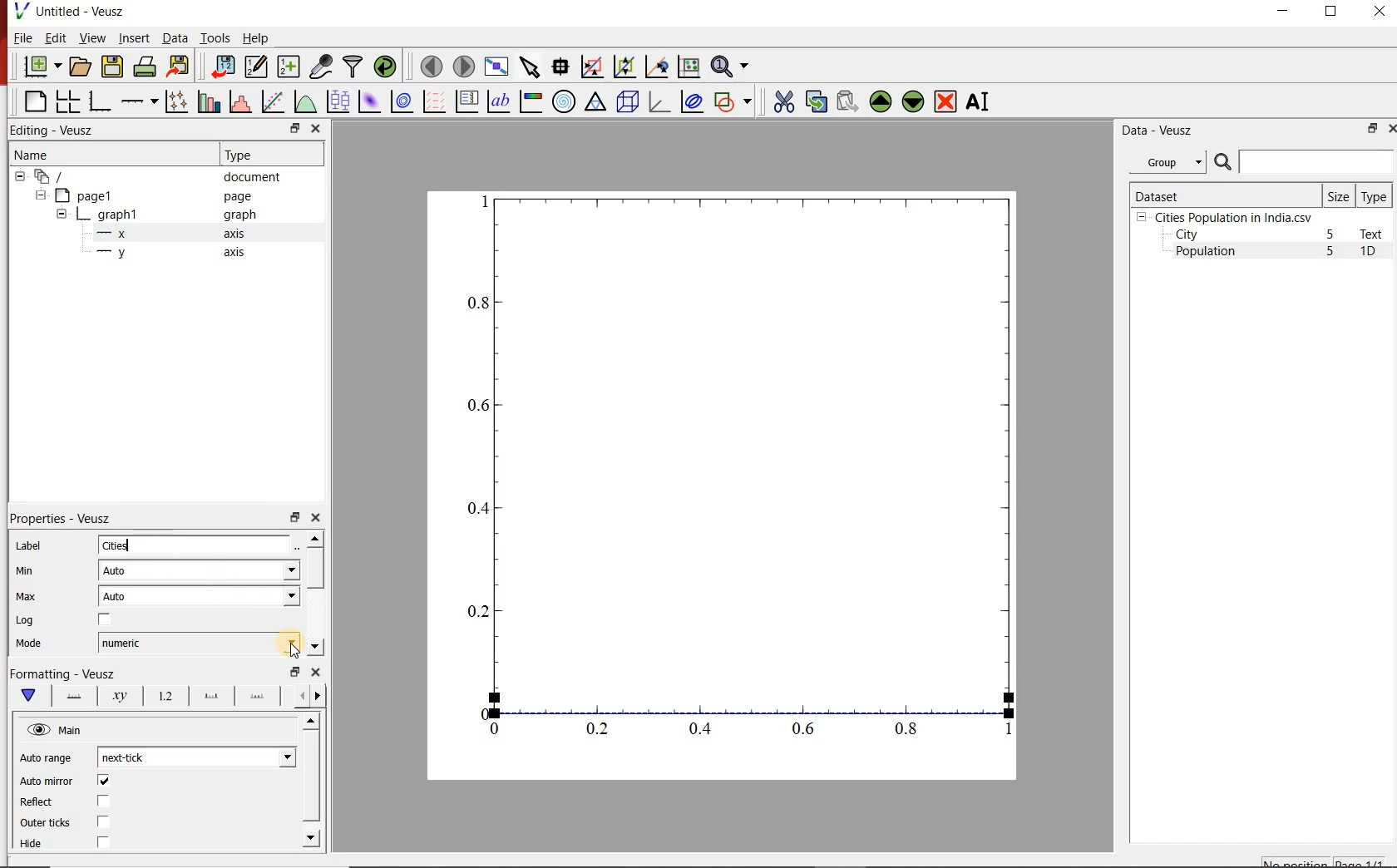  Describe the element at coordinates (1232, 217) in the screenshot. I see `Cities Population in India.csv` at that location.